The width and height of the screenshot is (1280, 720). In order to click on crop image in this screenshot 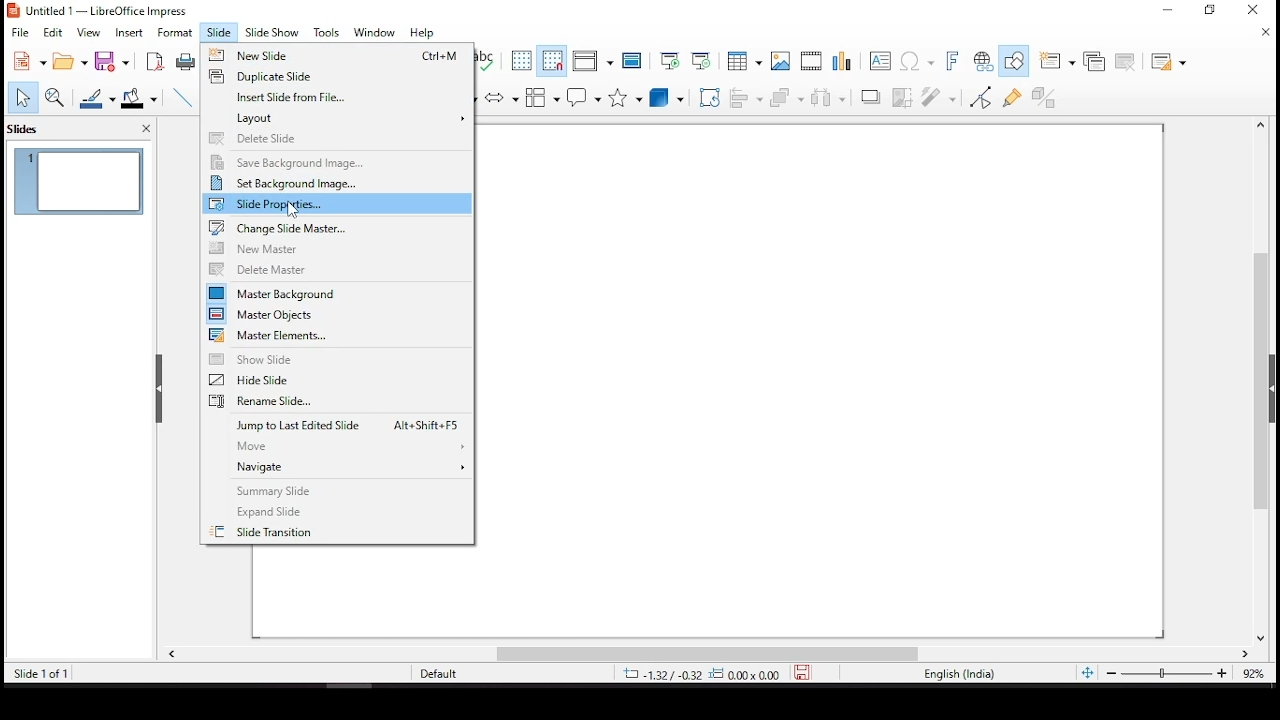, I will do `click(899, 97)`.